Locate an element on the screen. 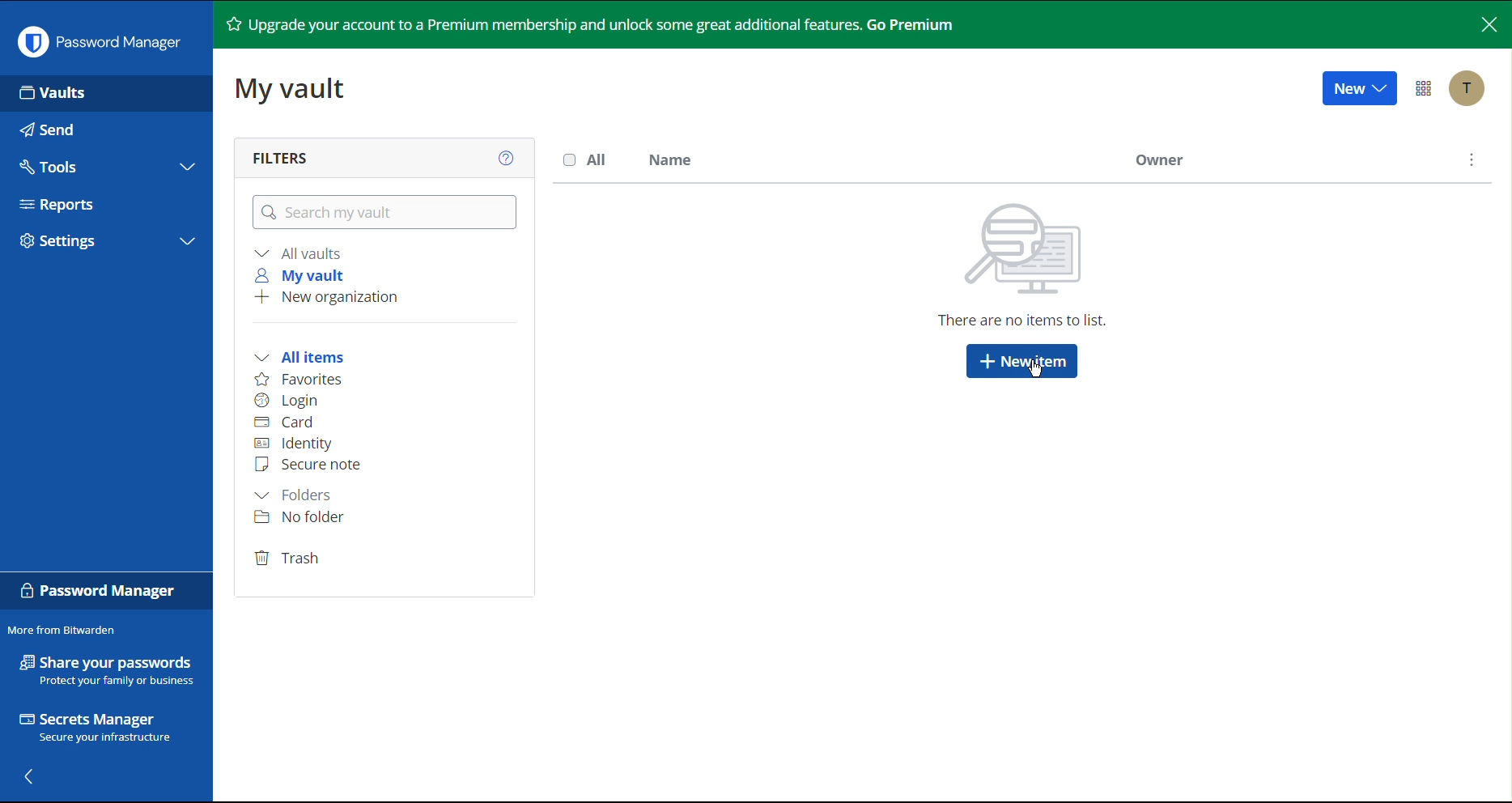 This screenshot has height=803, width=1512. New item is located at coordinates (1022, 361).